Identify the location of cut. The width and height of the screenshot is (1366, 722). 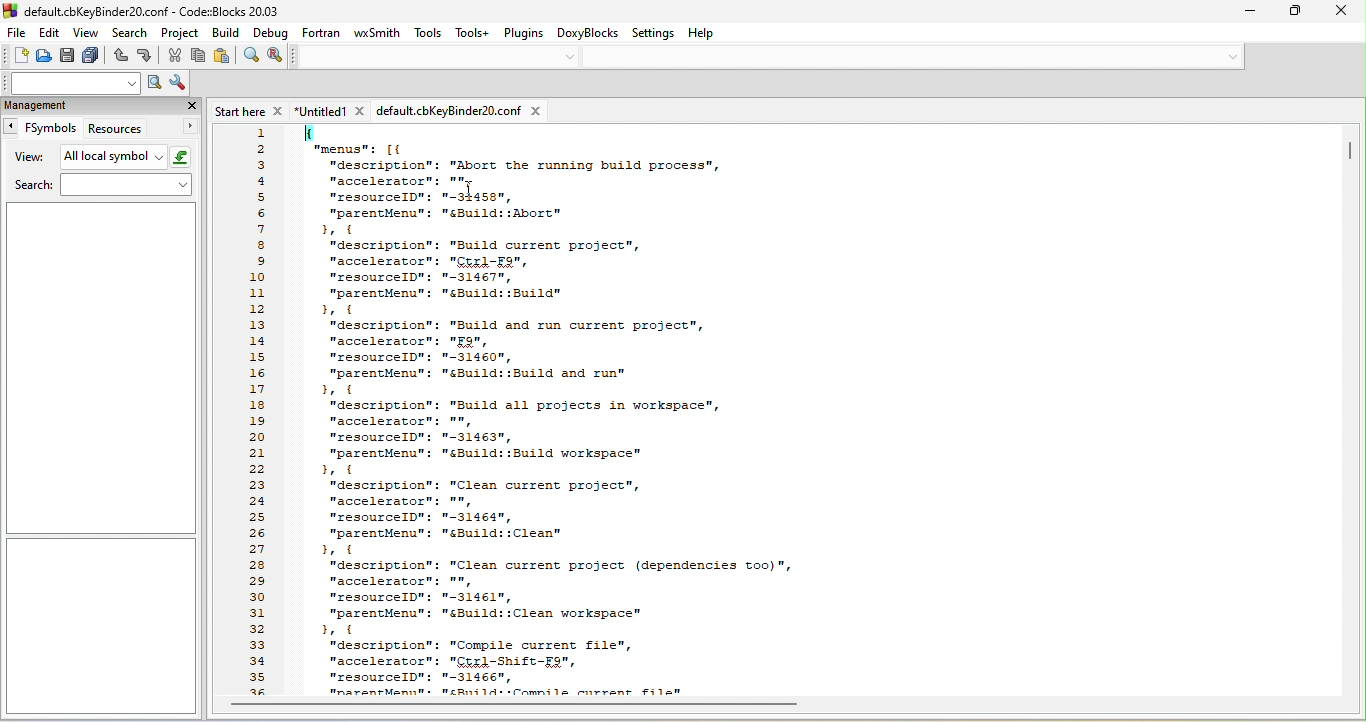
(175, 55).